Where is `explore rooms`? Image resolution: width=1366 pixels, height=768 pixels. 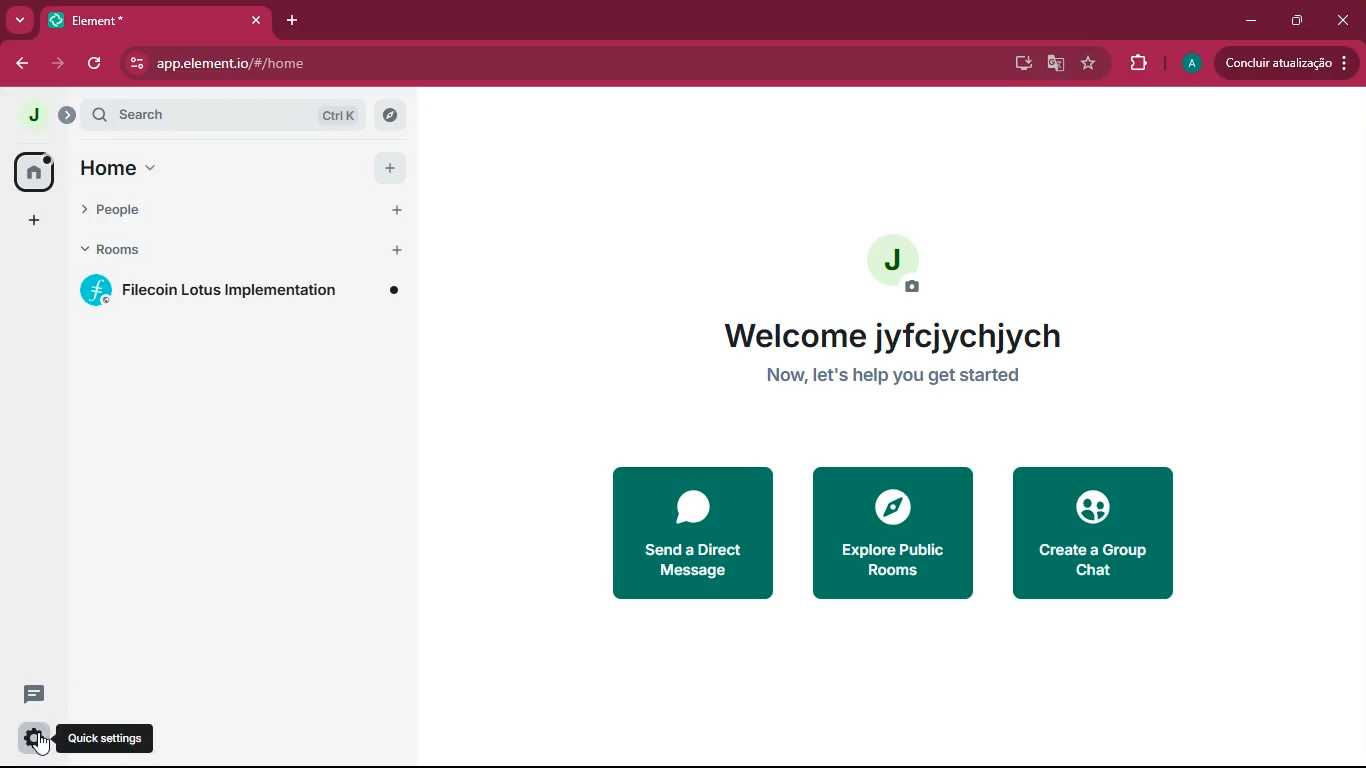 explore rooms is located at coordinates (390, 114).